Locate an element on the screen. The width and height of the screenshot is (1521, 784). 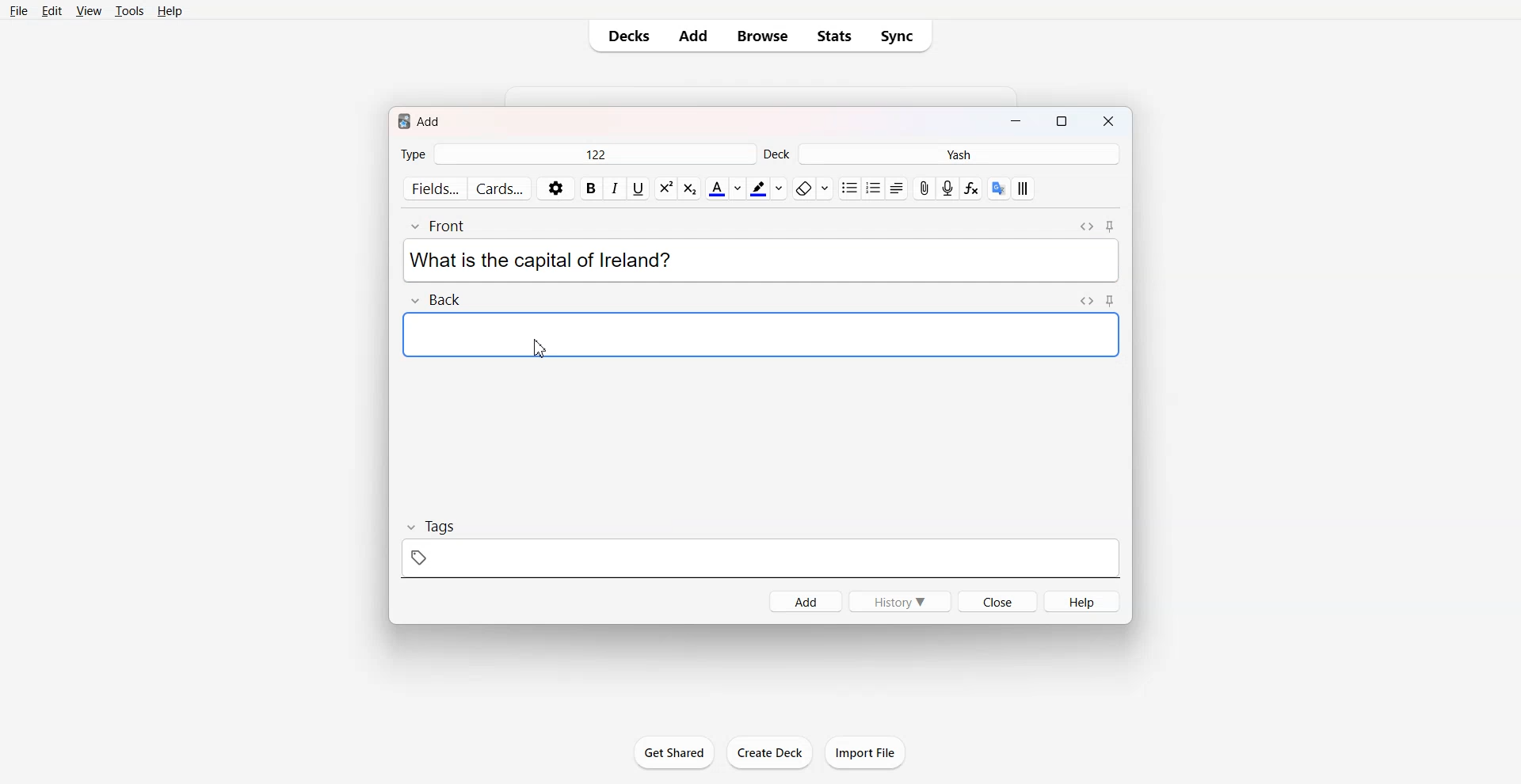
back input field is located at coordinates (760, 334).